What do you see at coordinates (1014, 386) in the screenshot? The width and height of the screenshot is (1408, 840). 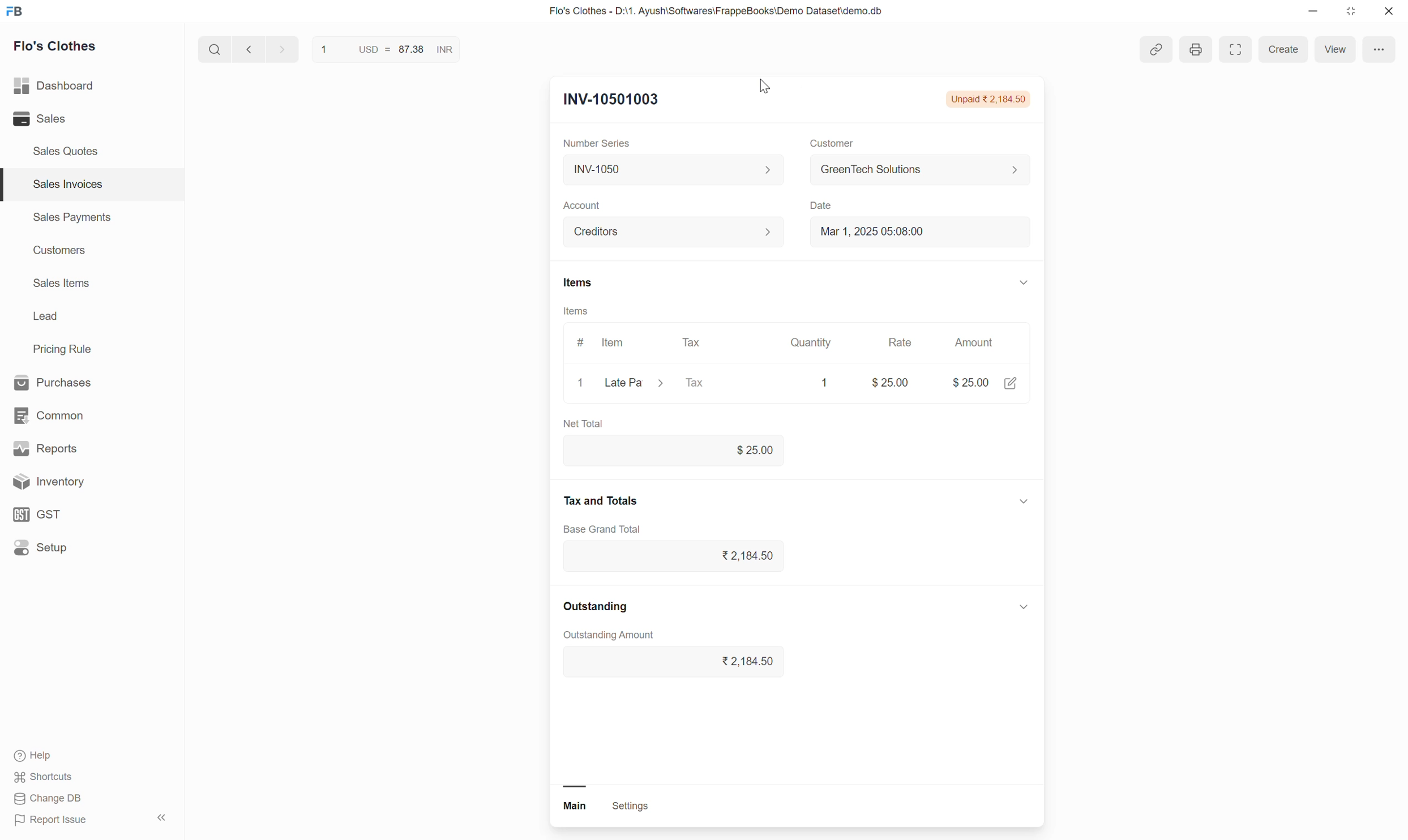 I see `edit amount ` at bounding box center [1014, 386].